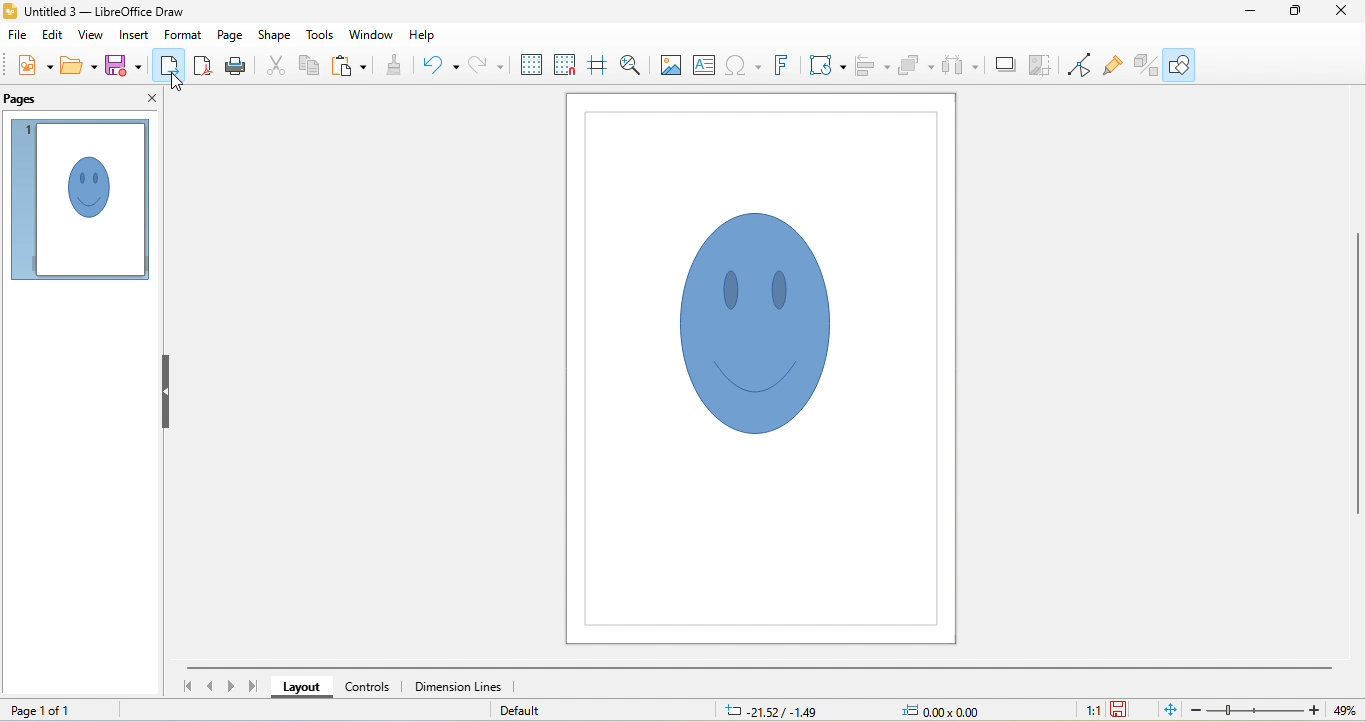 Image resolution: width=1366 pixels, height=722 pixels. What do you see at coordinates (175, 82) in the screenshot?
I see `cursor movement` at bounding box center [175, 82].